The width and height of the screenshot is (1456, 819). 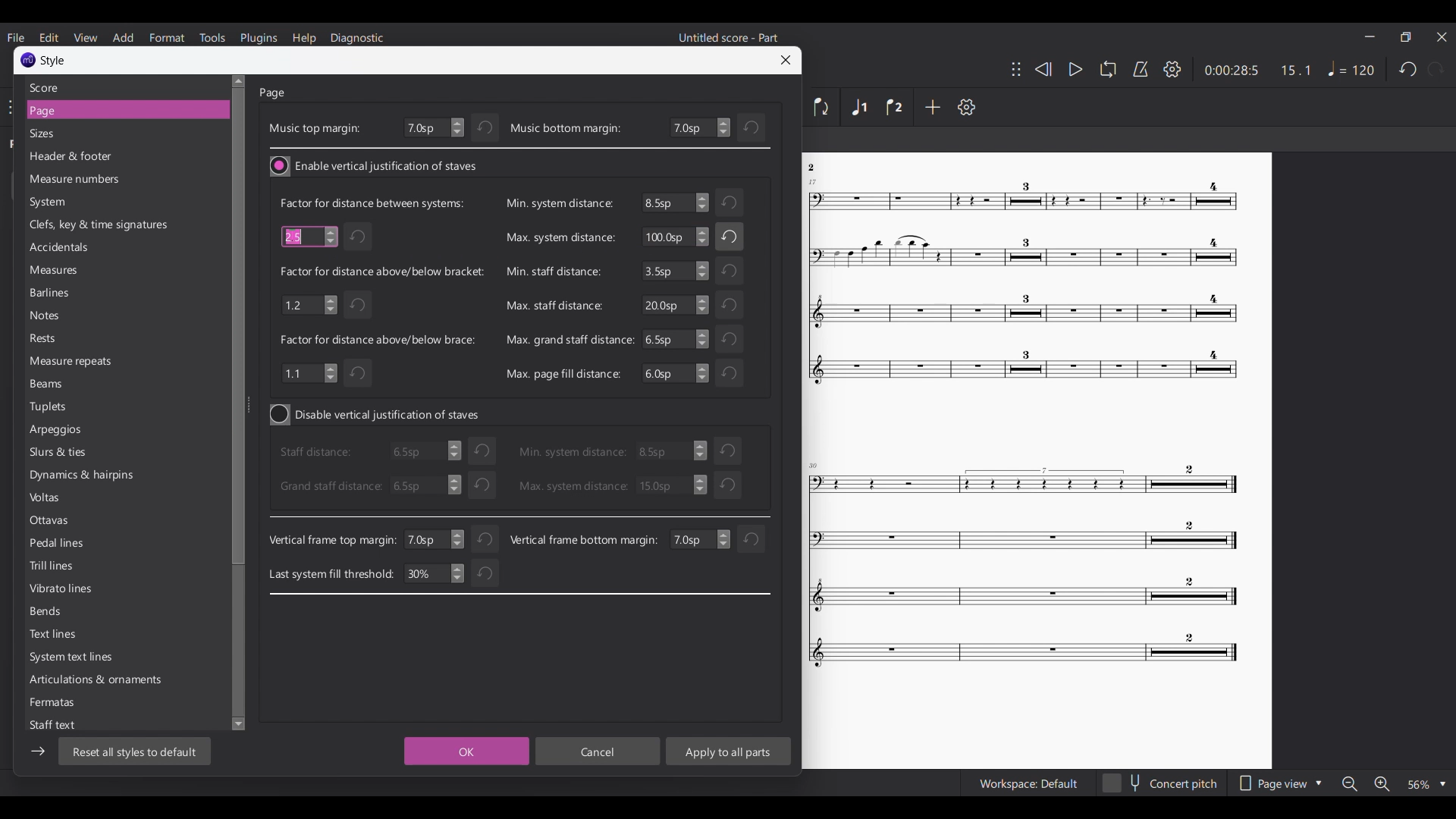 What do you see at coordinates (371, 202) in the screenshot?
I see `Indicates factor for distance between systems` at bounding box center [371, 202].